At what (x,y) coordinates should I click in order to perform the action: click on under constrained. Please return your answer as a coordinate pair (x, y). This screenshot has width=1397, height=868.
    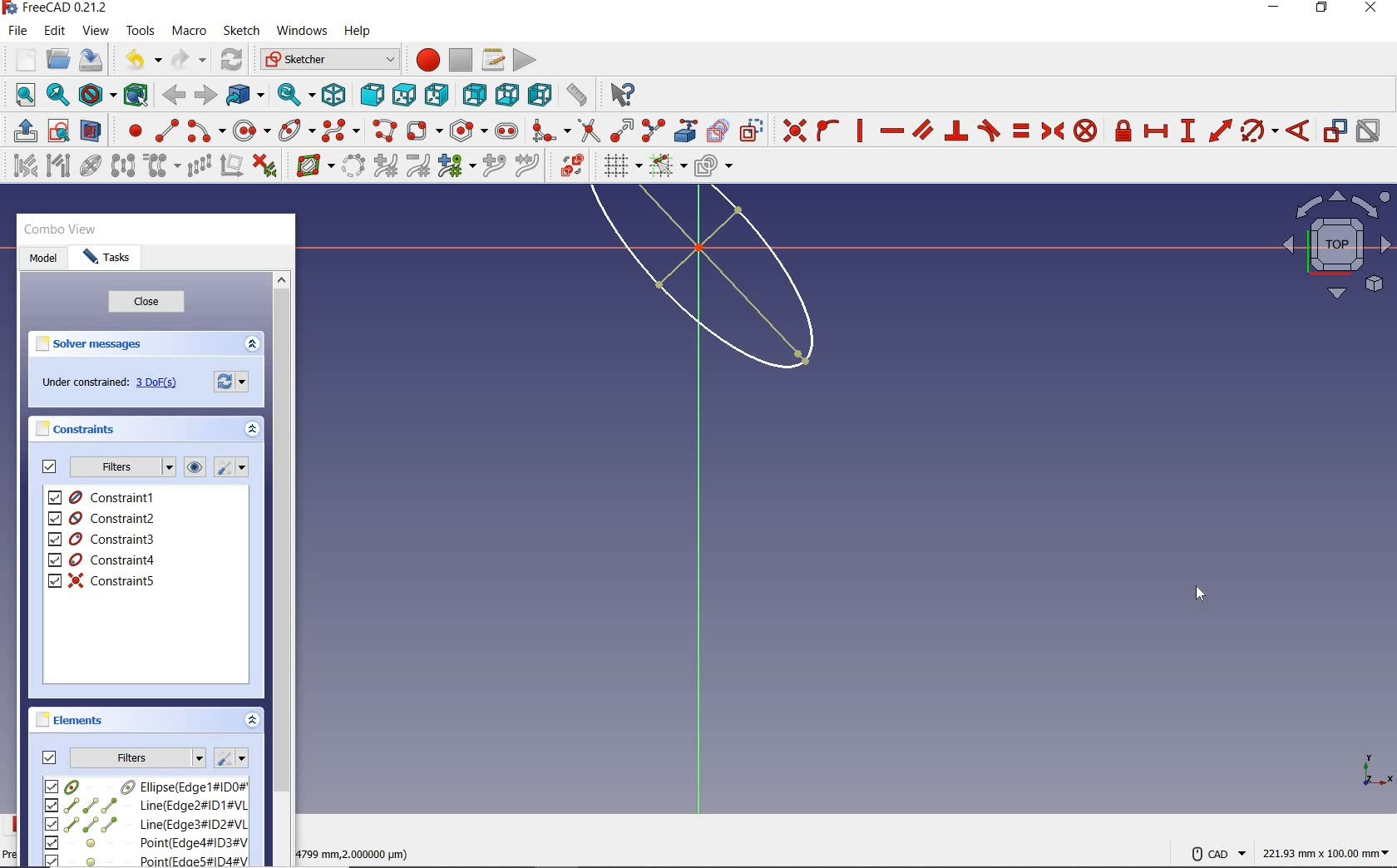
    Looking at the image, I should click on (114, 383).